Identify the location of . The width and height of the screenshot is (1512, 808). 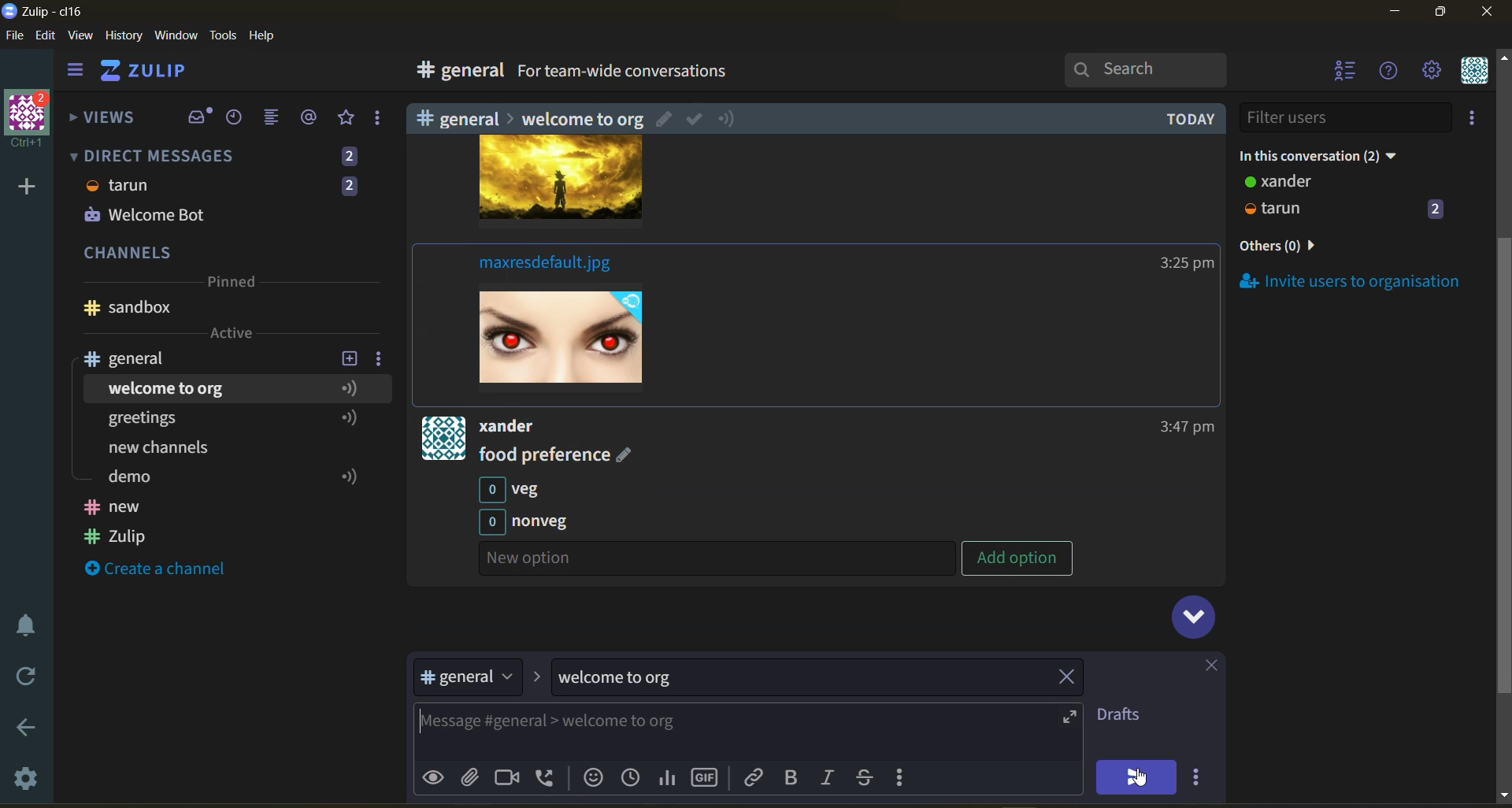
(1188, 119).